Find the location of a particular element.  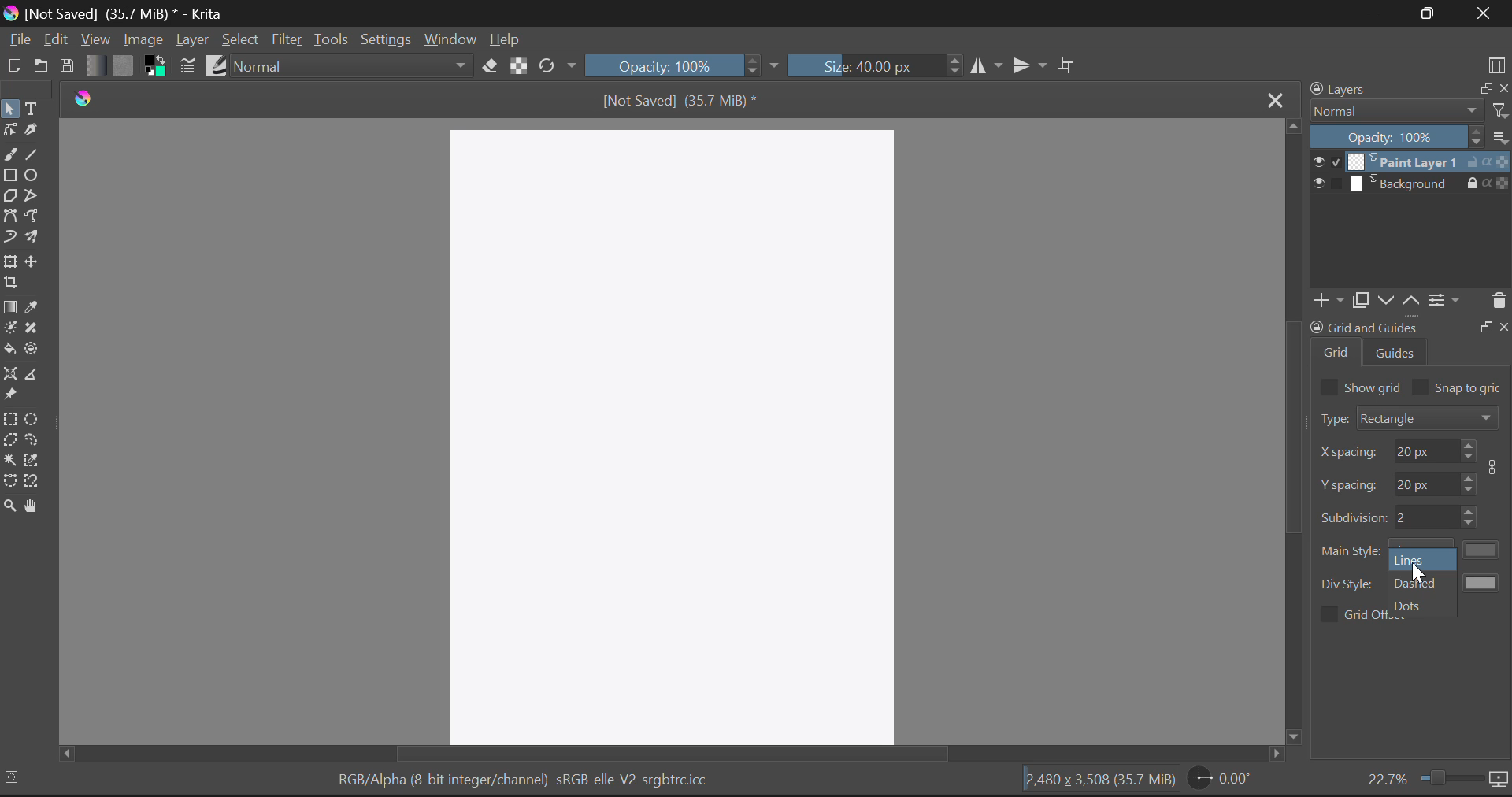

Gradient is located at coordinates (94, 64).